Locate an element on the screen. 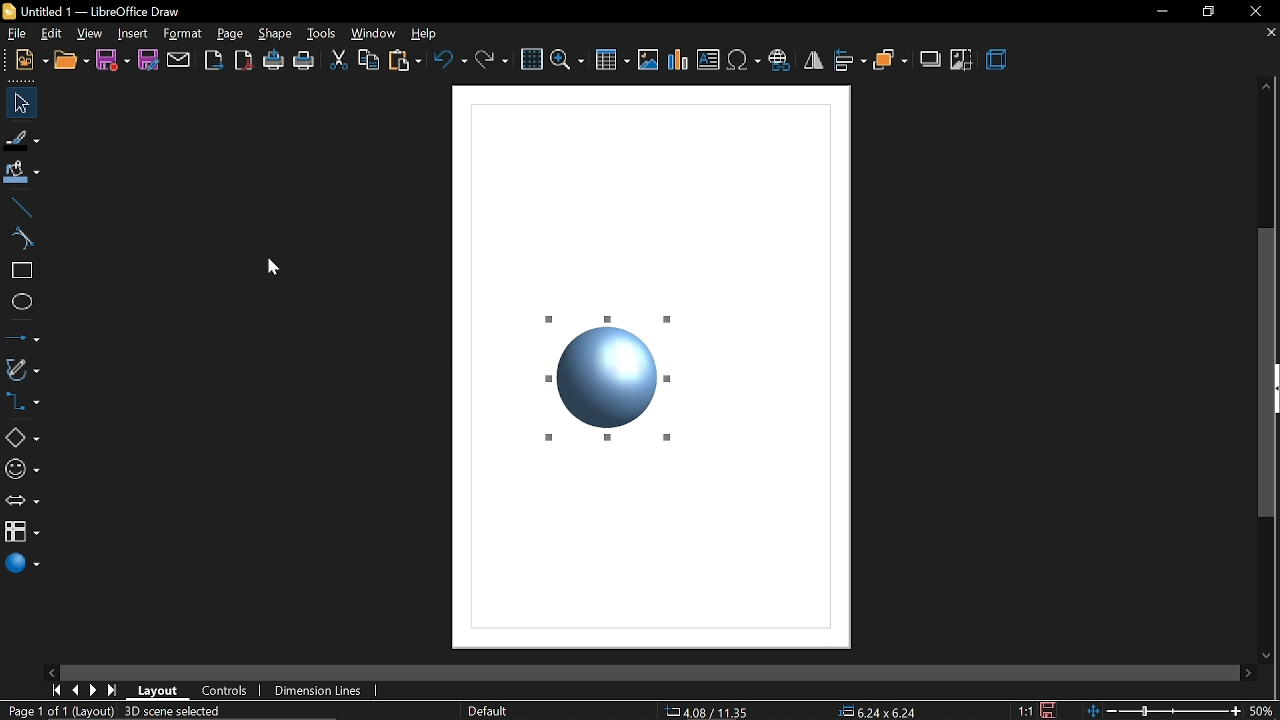 The image size is (1280, 720). Canvas is located at coordinates (649, 562).